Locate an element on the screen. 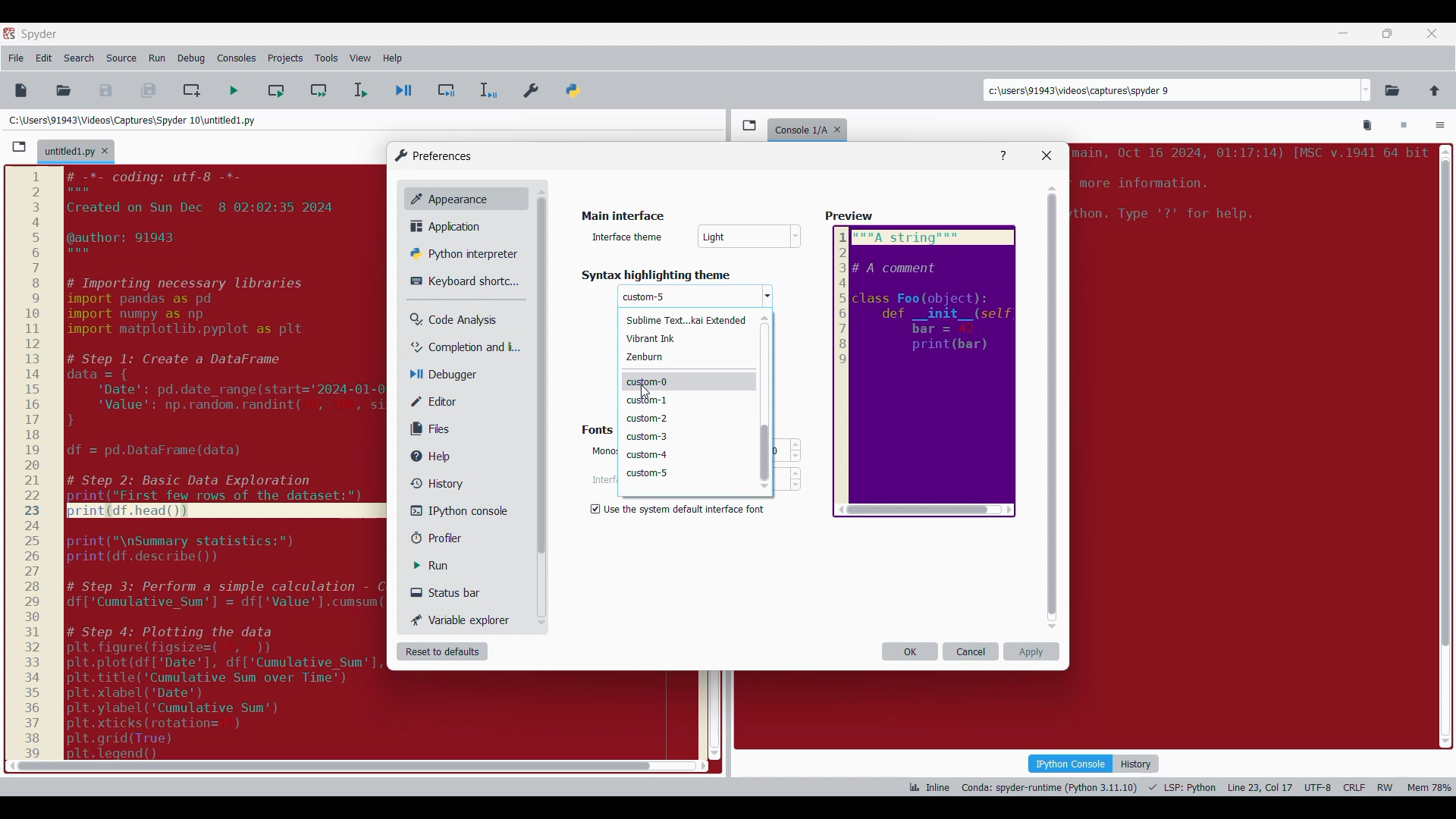 This screenshot has width=1456, height=819. Close tab is located at coordinates (841, 127).